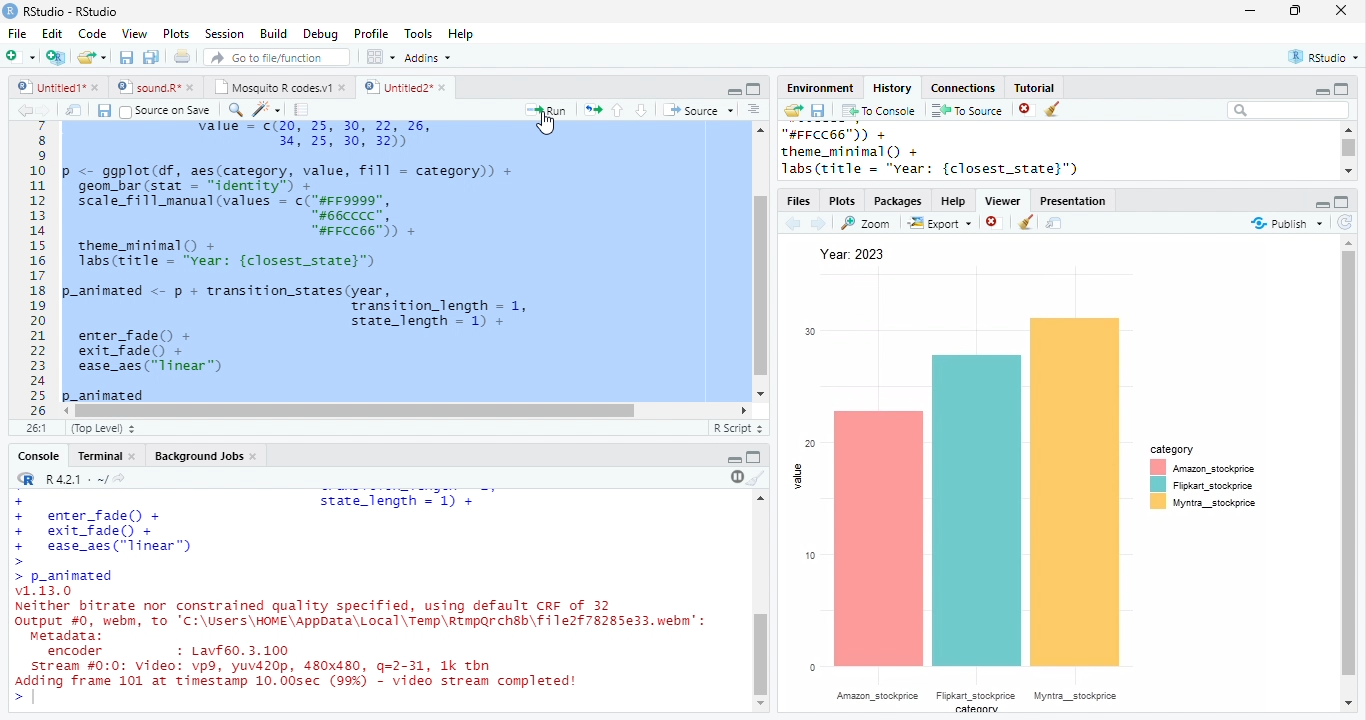  Describe the element at coordinates (965, 88) in the screenshot. I see `Connections` at that location.